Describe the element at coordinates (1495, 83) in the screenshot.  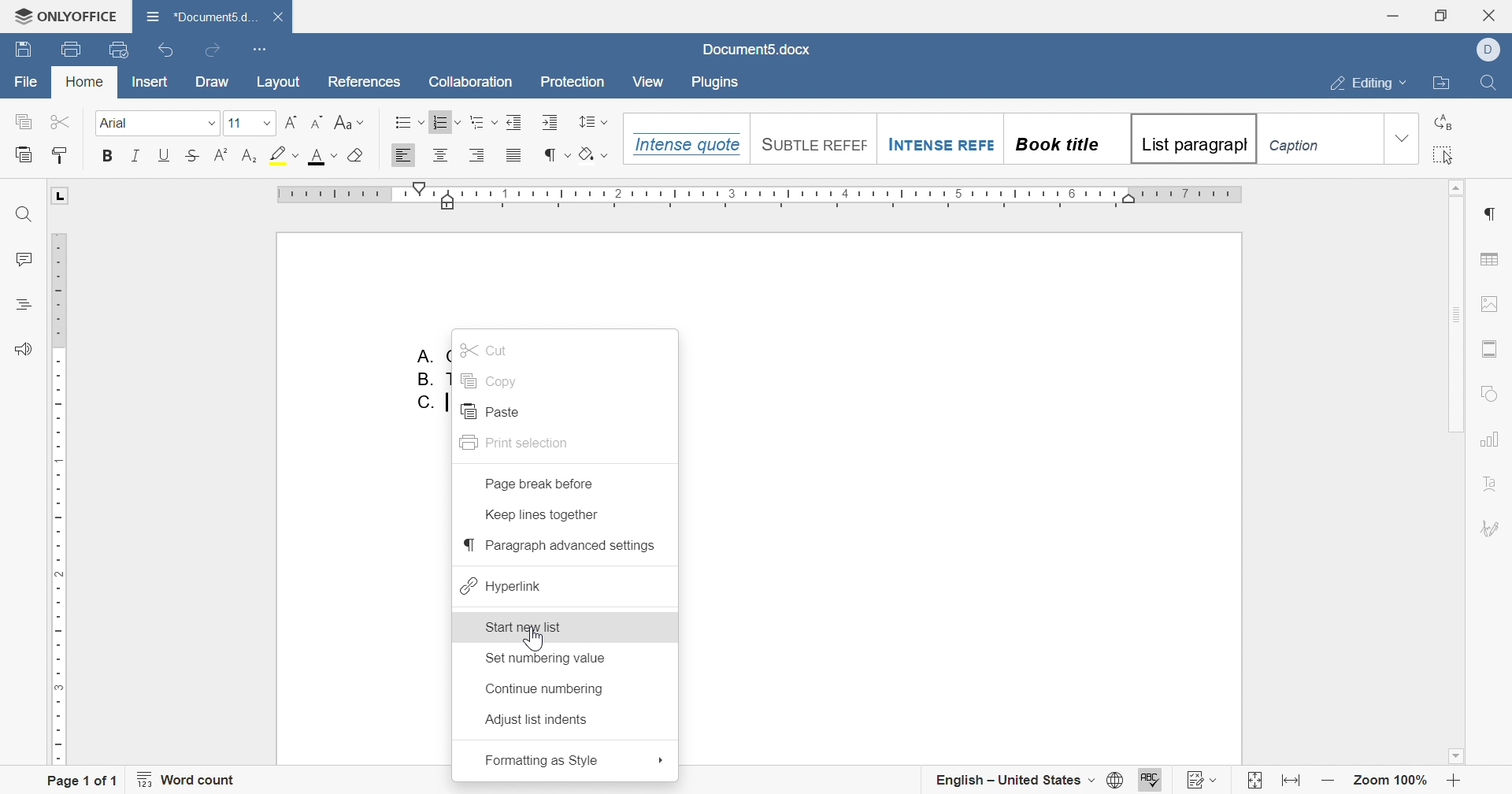
I see `find` at that location.